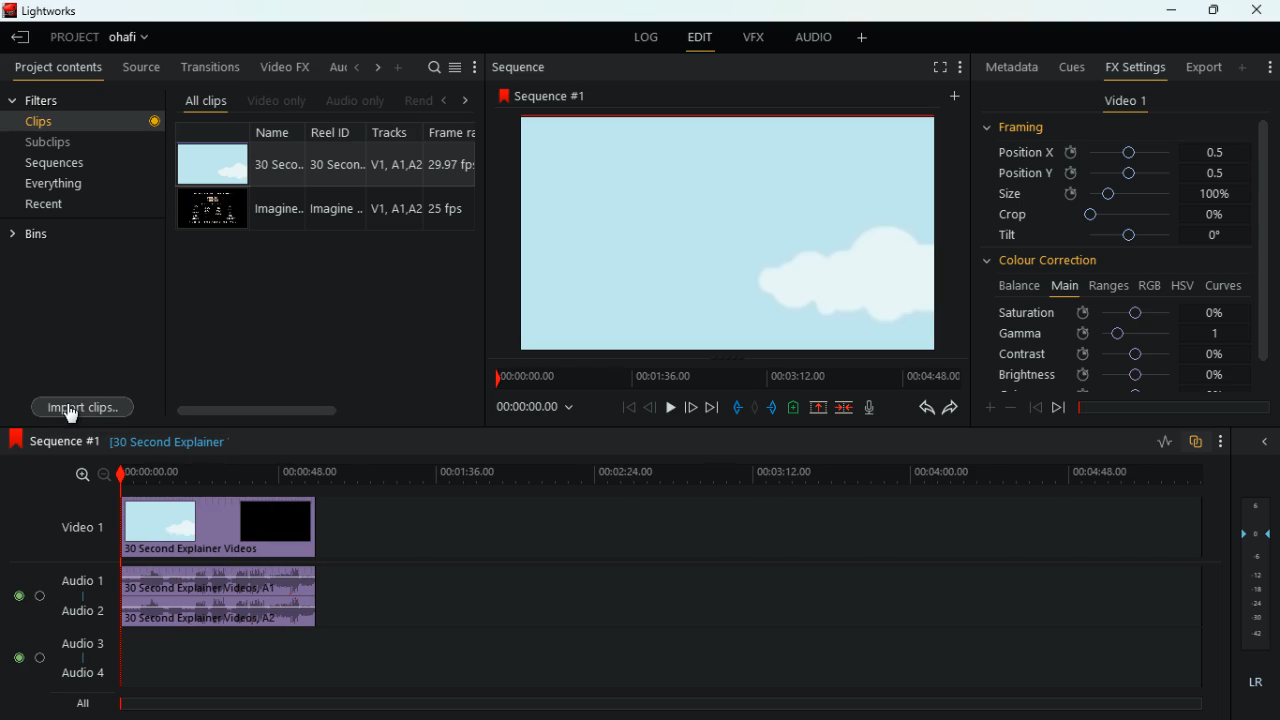 This screenshot has width=1280, height=720. What do you see at coordinates (84, 526) in the screenshot?
I see `video 1` at bounding box center [84, 526].